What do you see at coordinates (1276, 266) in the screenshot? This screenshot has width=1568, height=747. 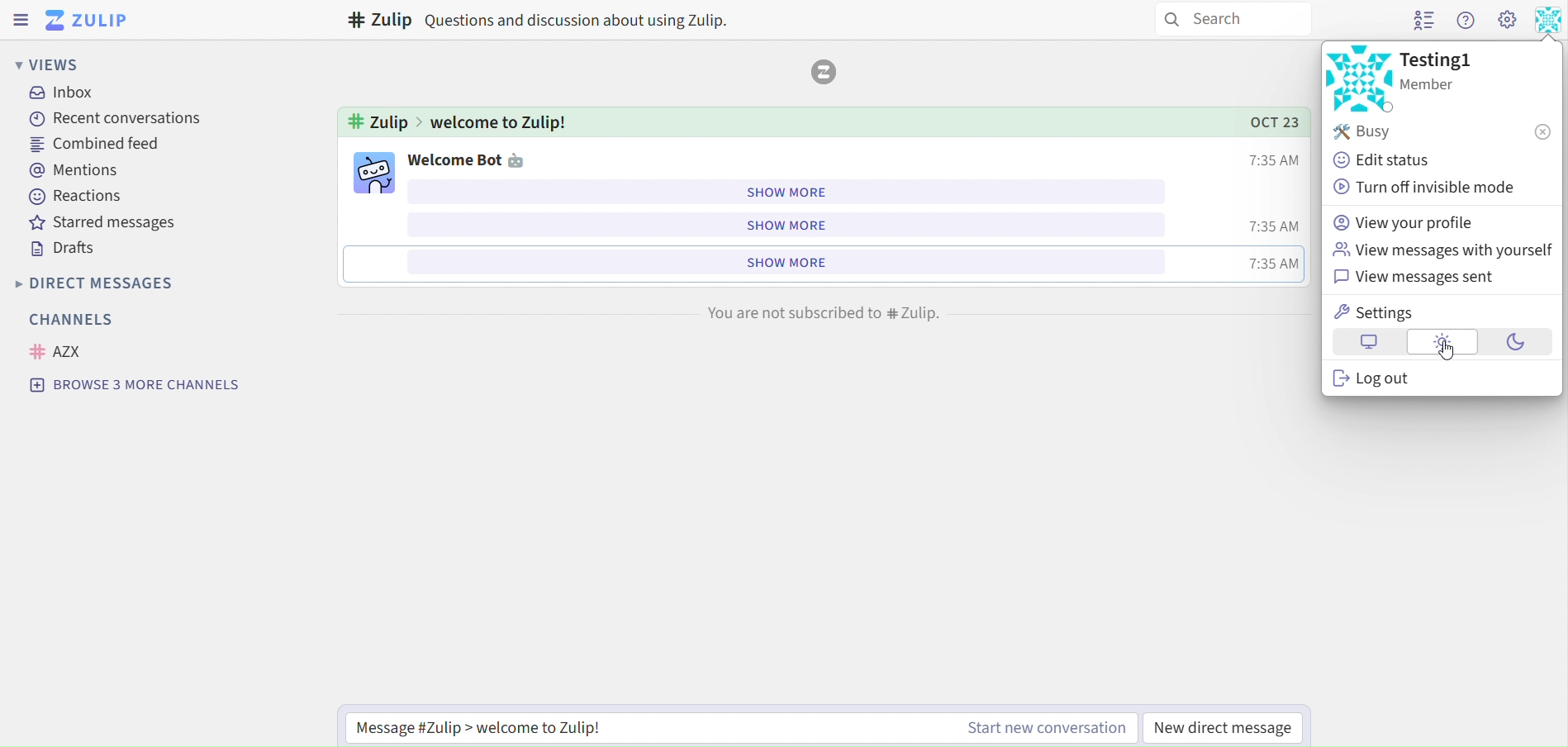 I see `time` at bounding box center [1276, 266].